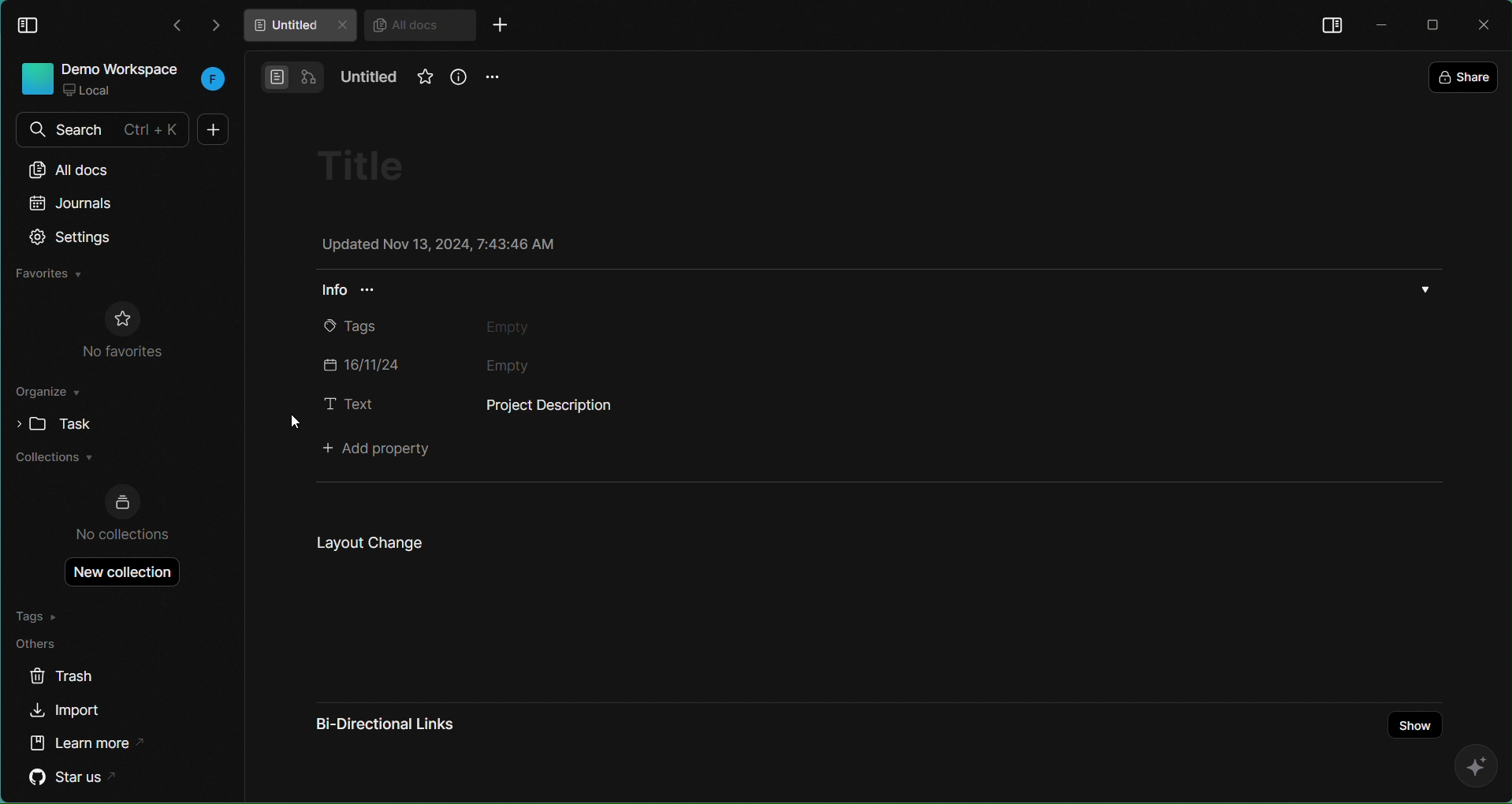 The height and width of the screenshot is (804, 1512). Describe the element at coordinates (177, 27) in the screenshot. I see `<` at that location.